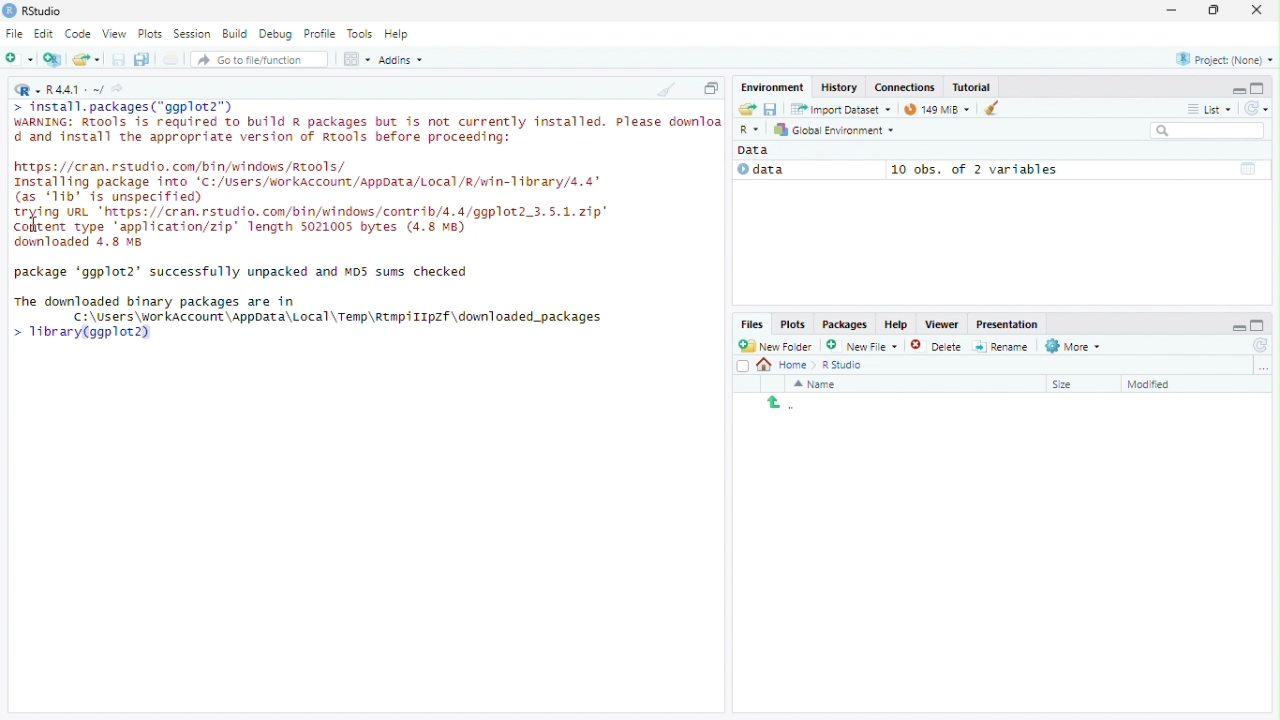 The height and width of the screenshot is (720, 1280). What do you see at coordinates (806, 170) in the screenshot?
I see `Data` at bounding box center [806, 170].